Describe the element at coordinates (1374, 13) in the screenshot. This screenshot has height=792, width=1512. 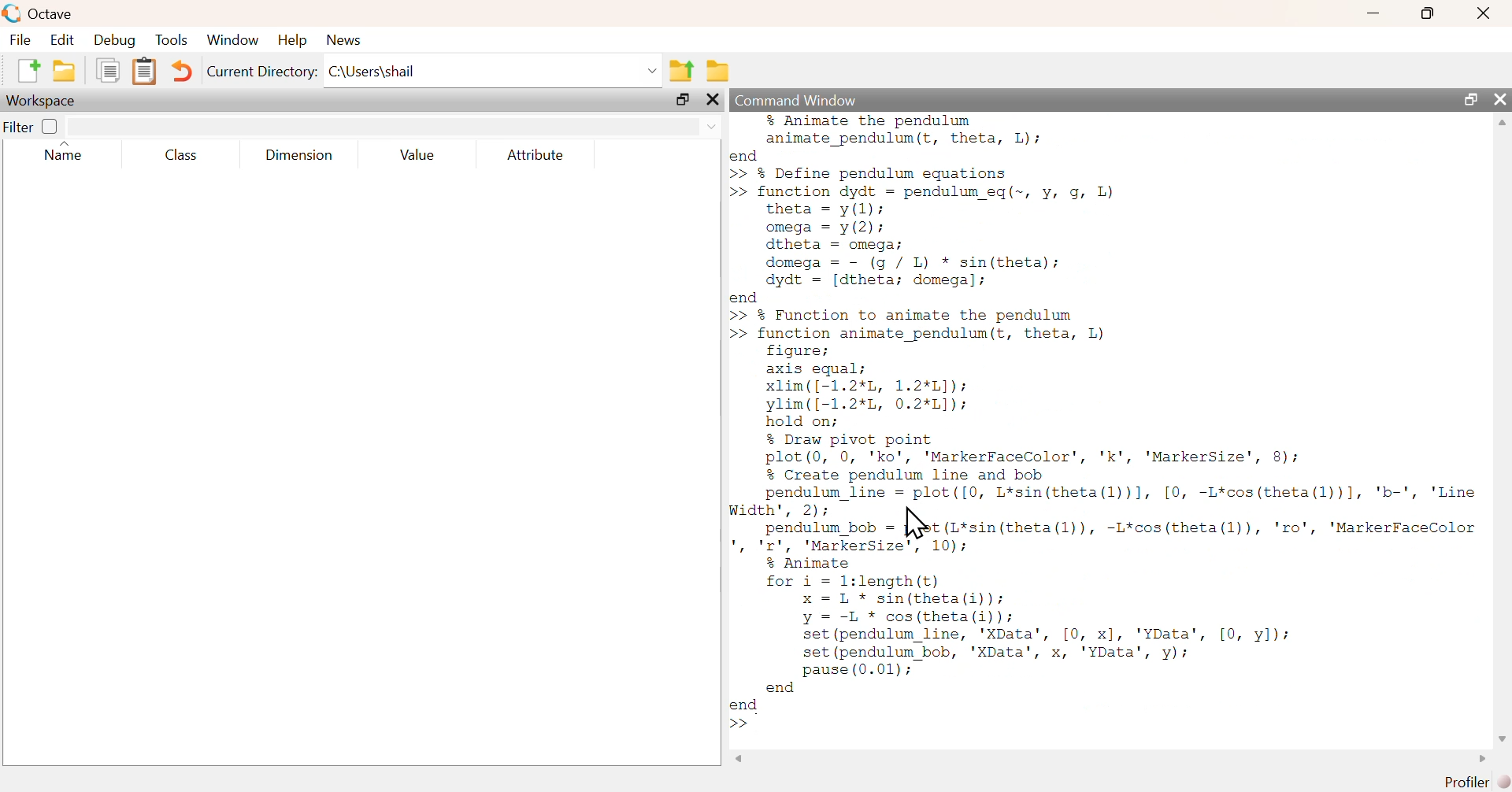
I see `Minimize` at that location.